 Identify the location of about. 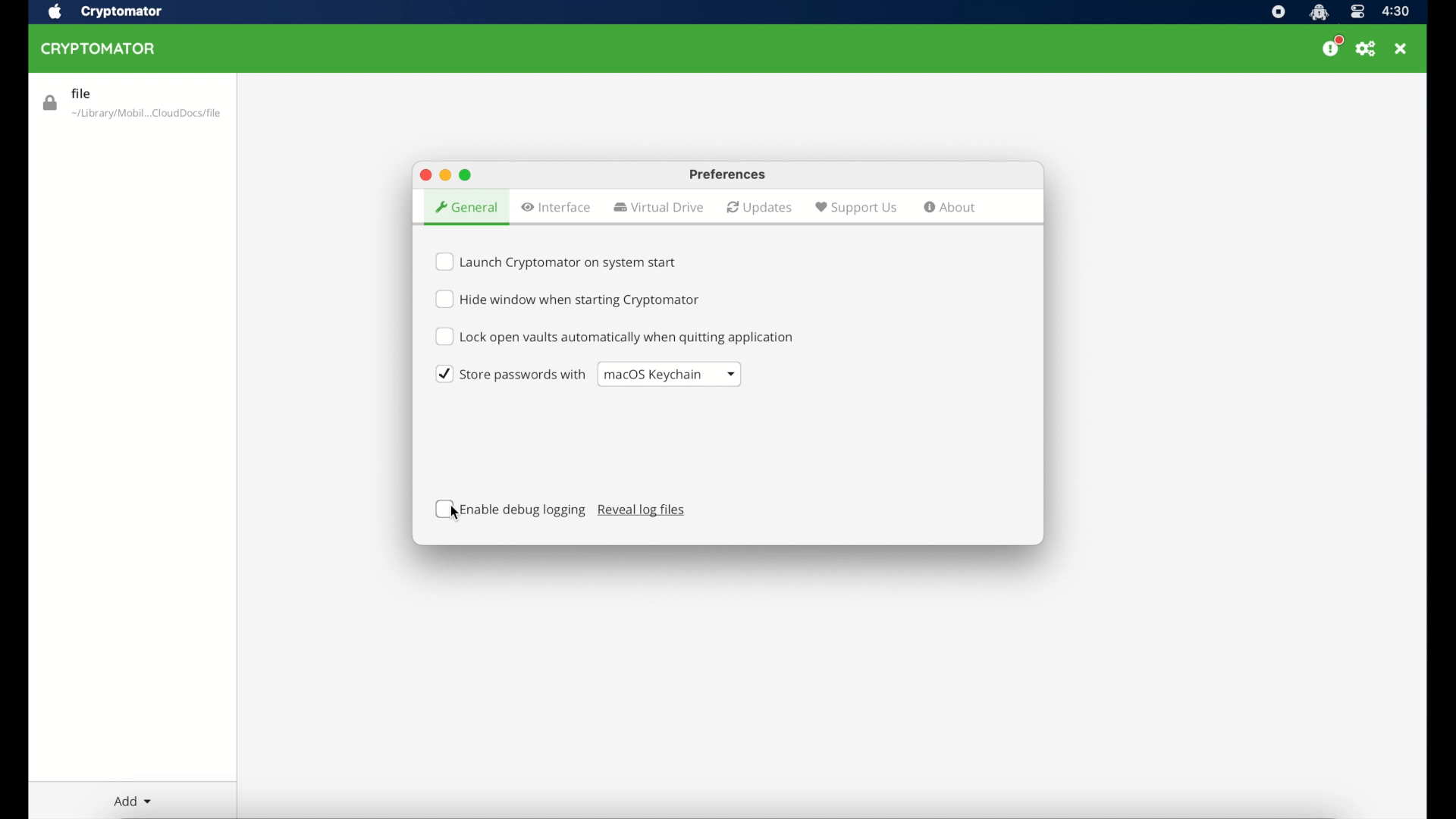
(951, 209).